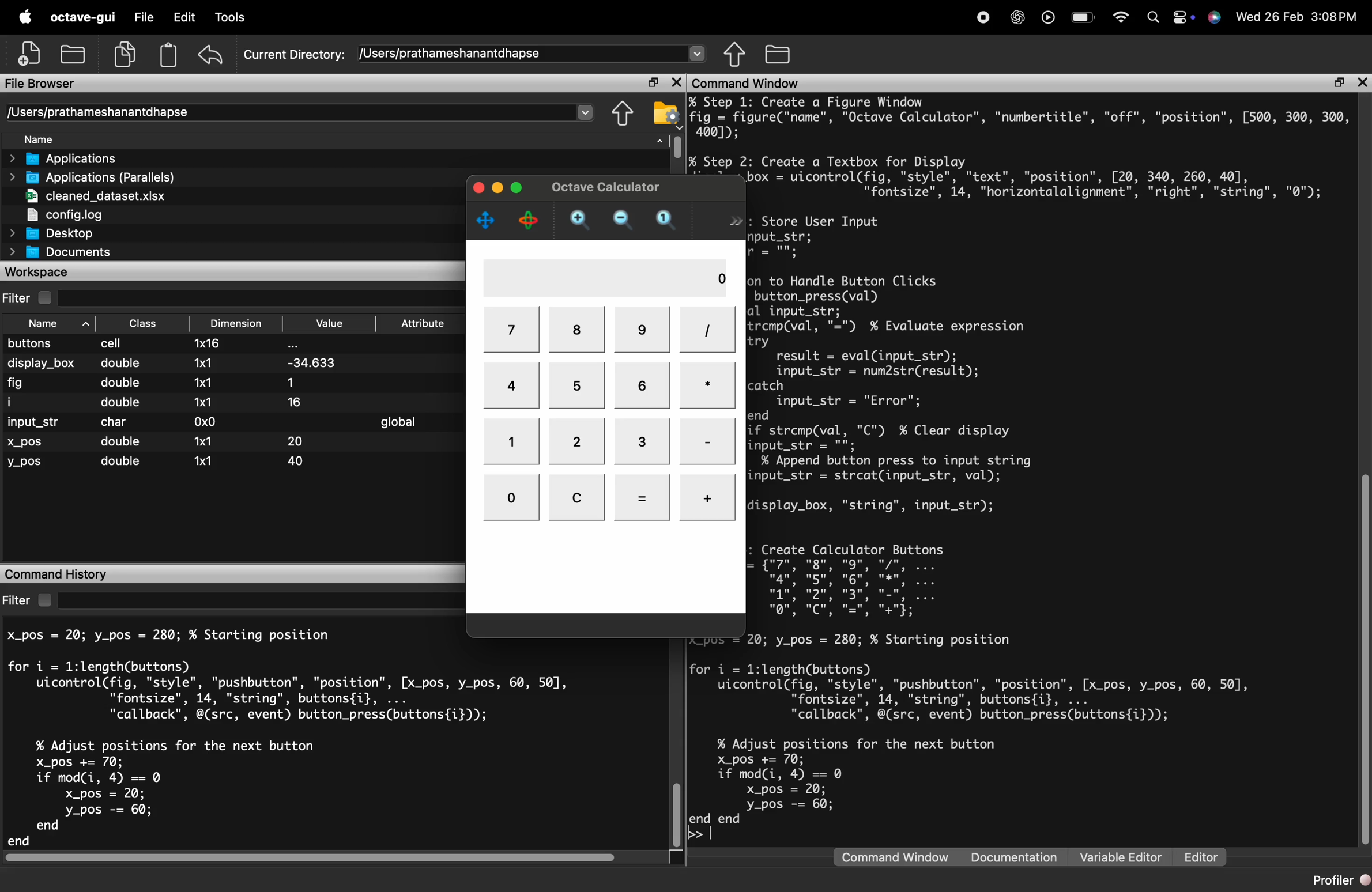 This screenshot has width=1372, height=892. I want to click on 1, so click(511, 442).